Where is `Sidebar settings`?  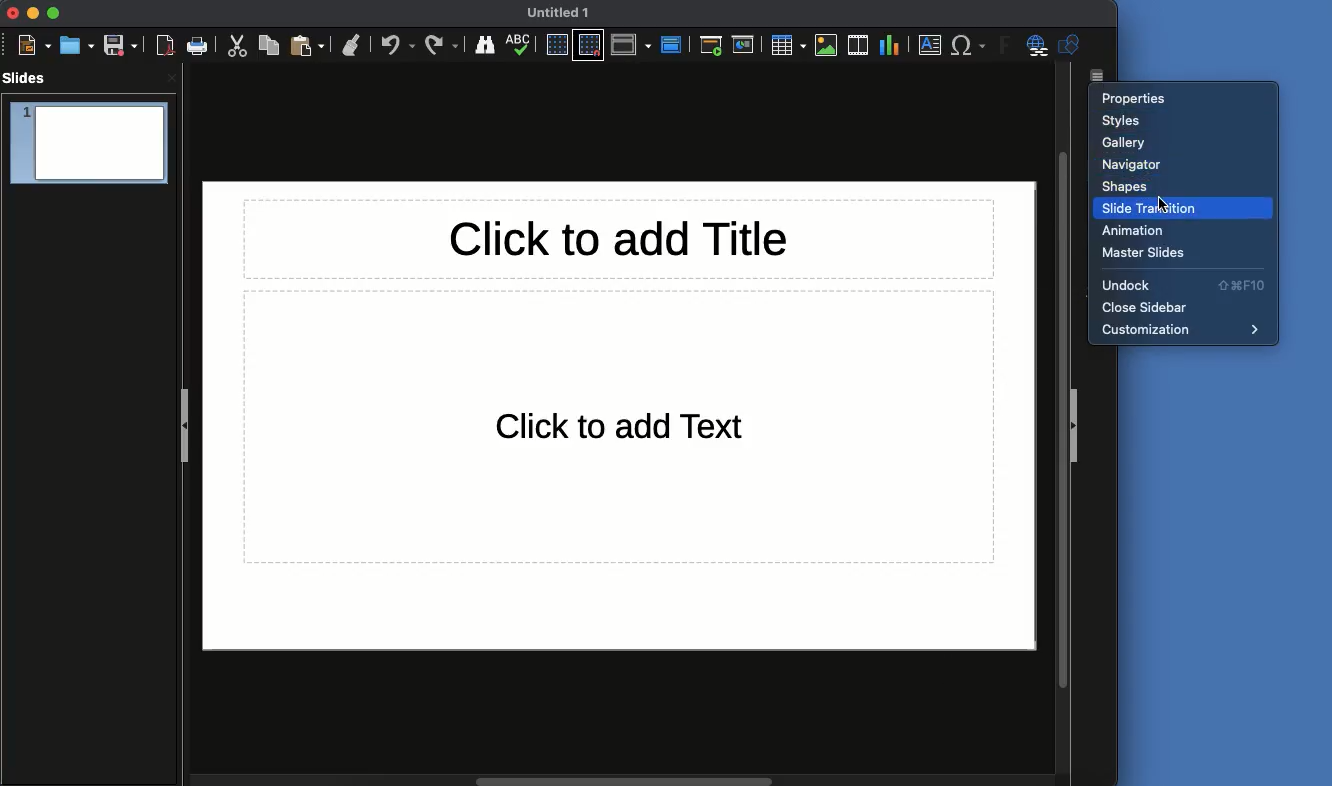 Sidebar settings is located at coordinates (1104, 75).